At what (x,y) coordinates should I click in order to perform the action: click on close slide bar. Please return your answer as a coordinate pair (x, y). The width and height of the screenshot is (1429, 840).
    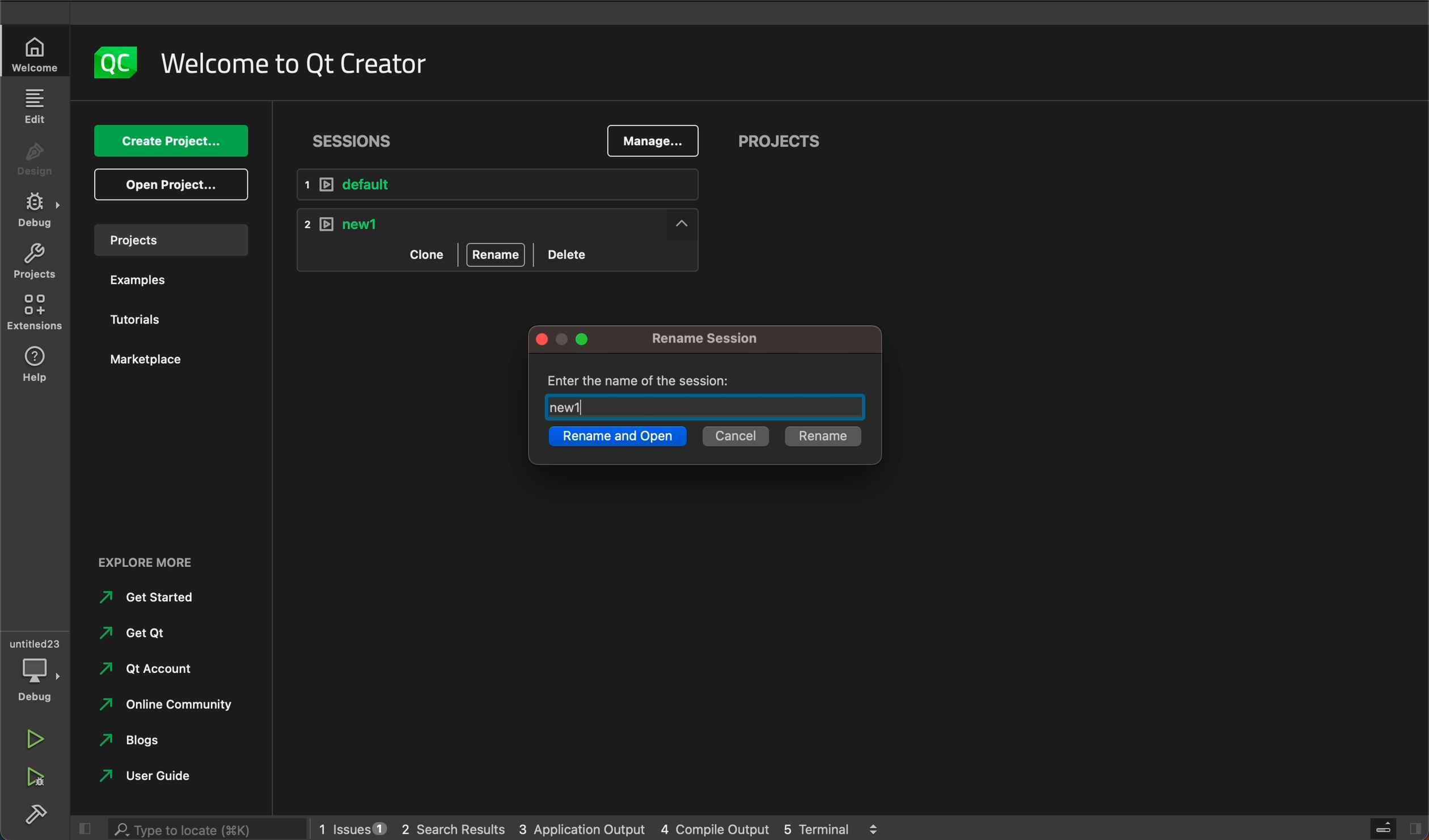
    Looking at the image, I should click on (1392, 828).